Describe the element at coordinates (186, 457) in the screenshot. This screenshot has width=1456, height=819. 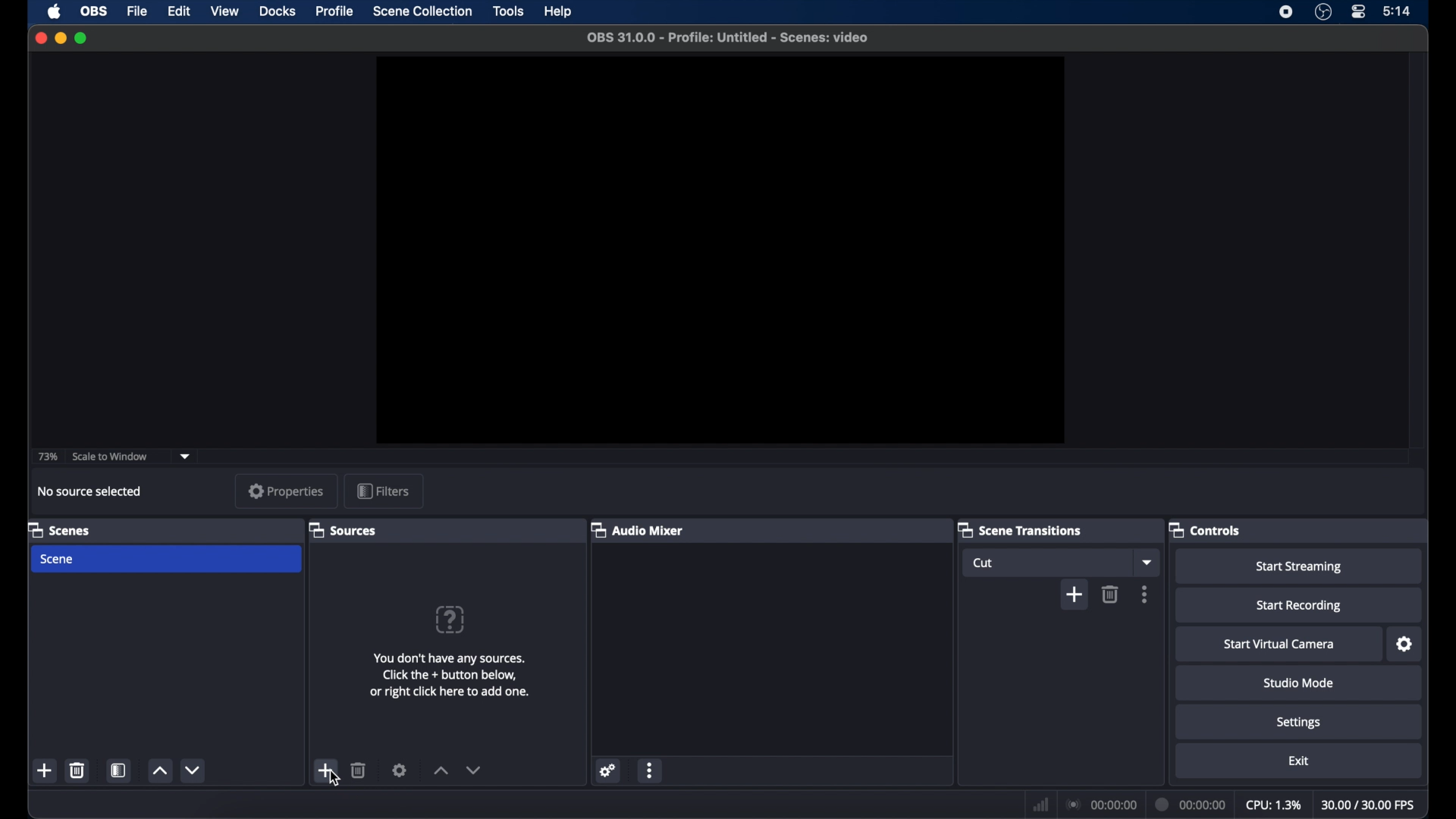
I see `dropdown` at that location.